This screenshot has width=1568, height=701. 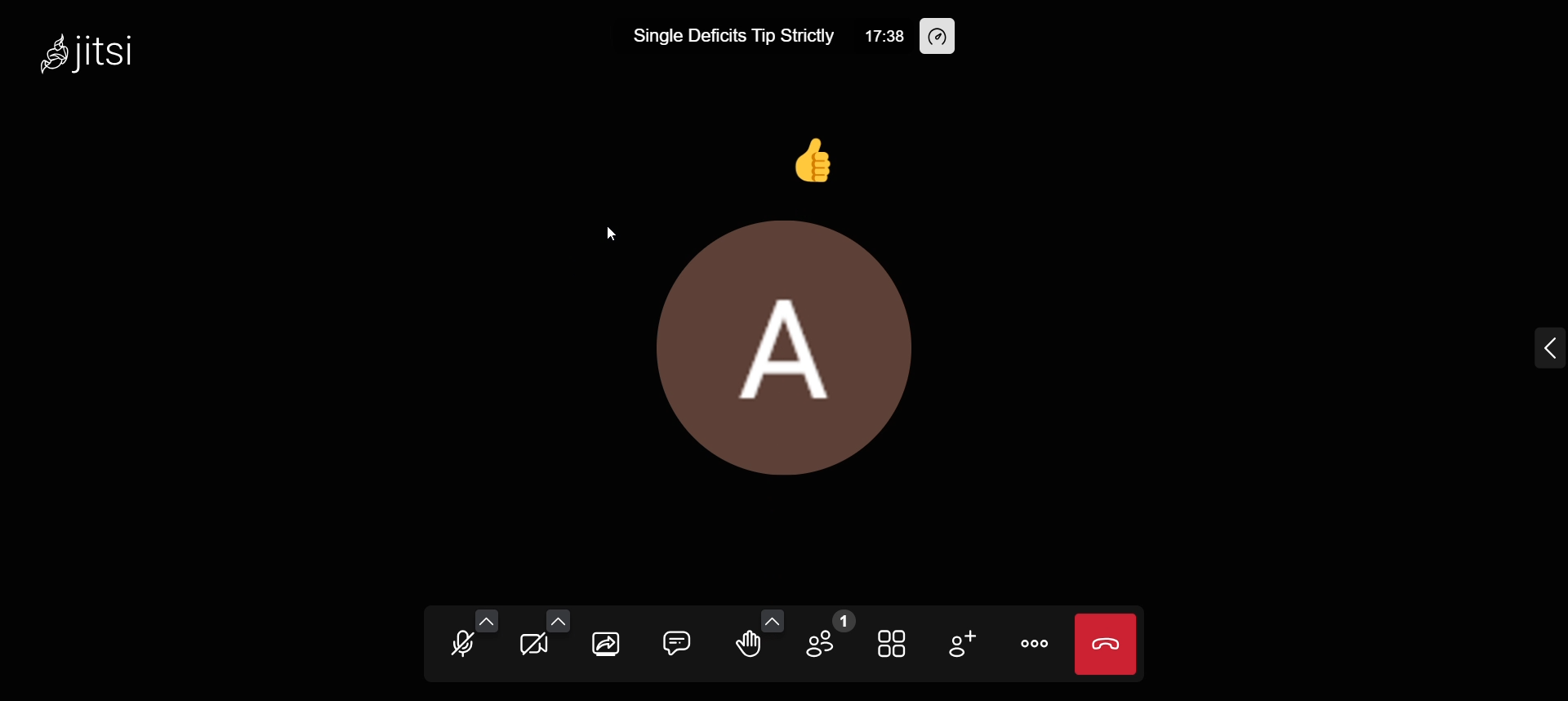 What do you see at coordinates (678, 641) in the screenshot?
I see `open chat` at bounding box center [678, 641].